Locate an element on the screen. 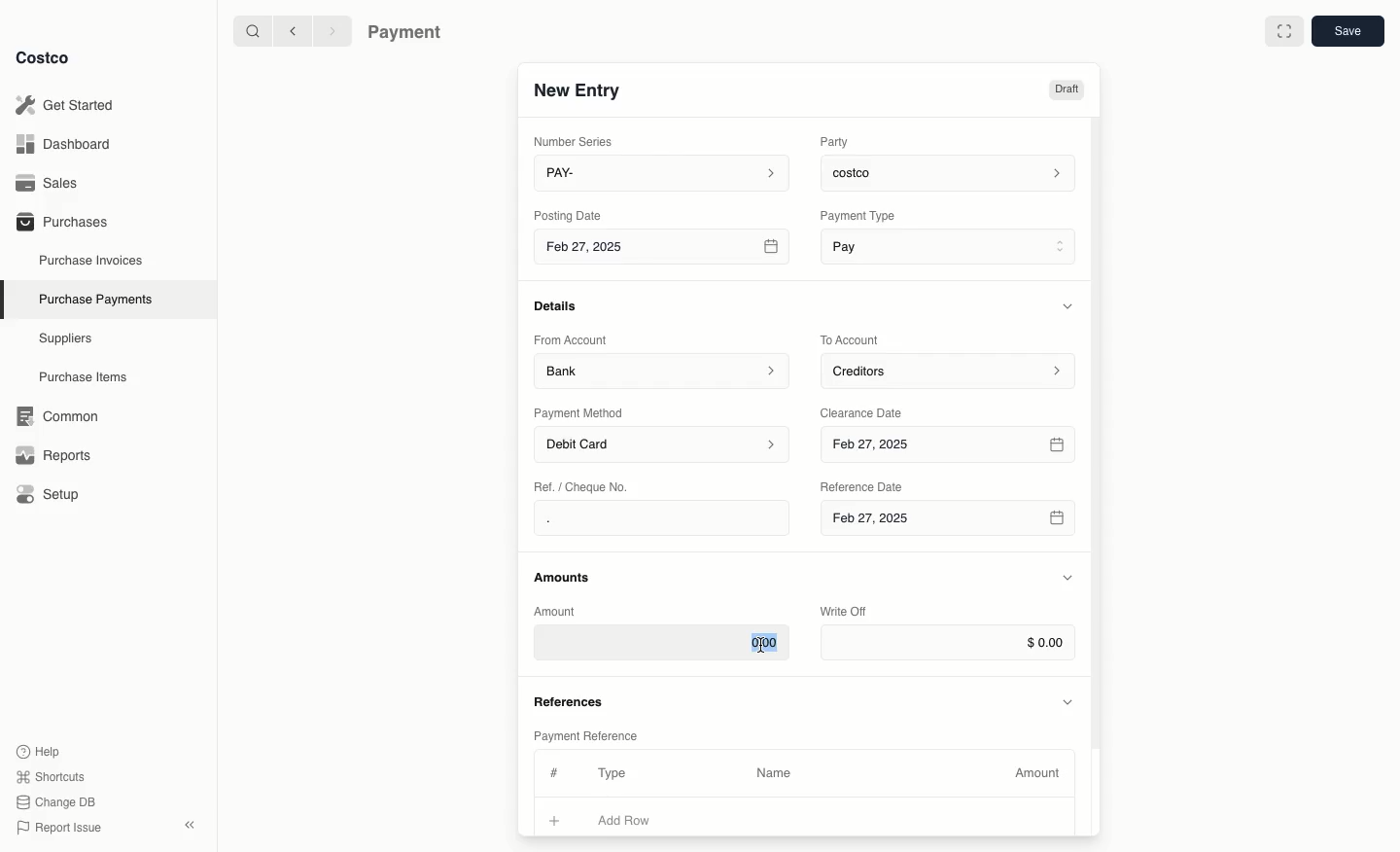 The image size is (1400, 852). Feb 27, 2025 is located at coordinates (664, 250).